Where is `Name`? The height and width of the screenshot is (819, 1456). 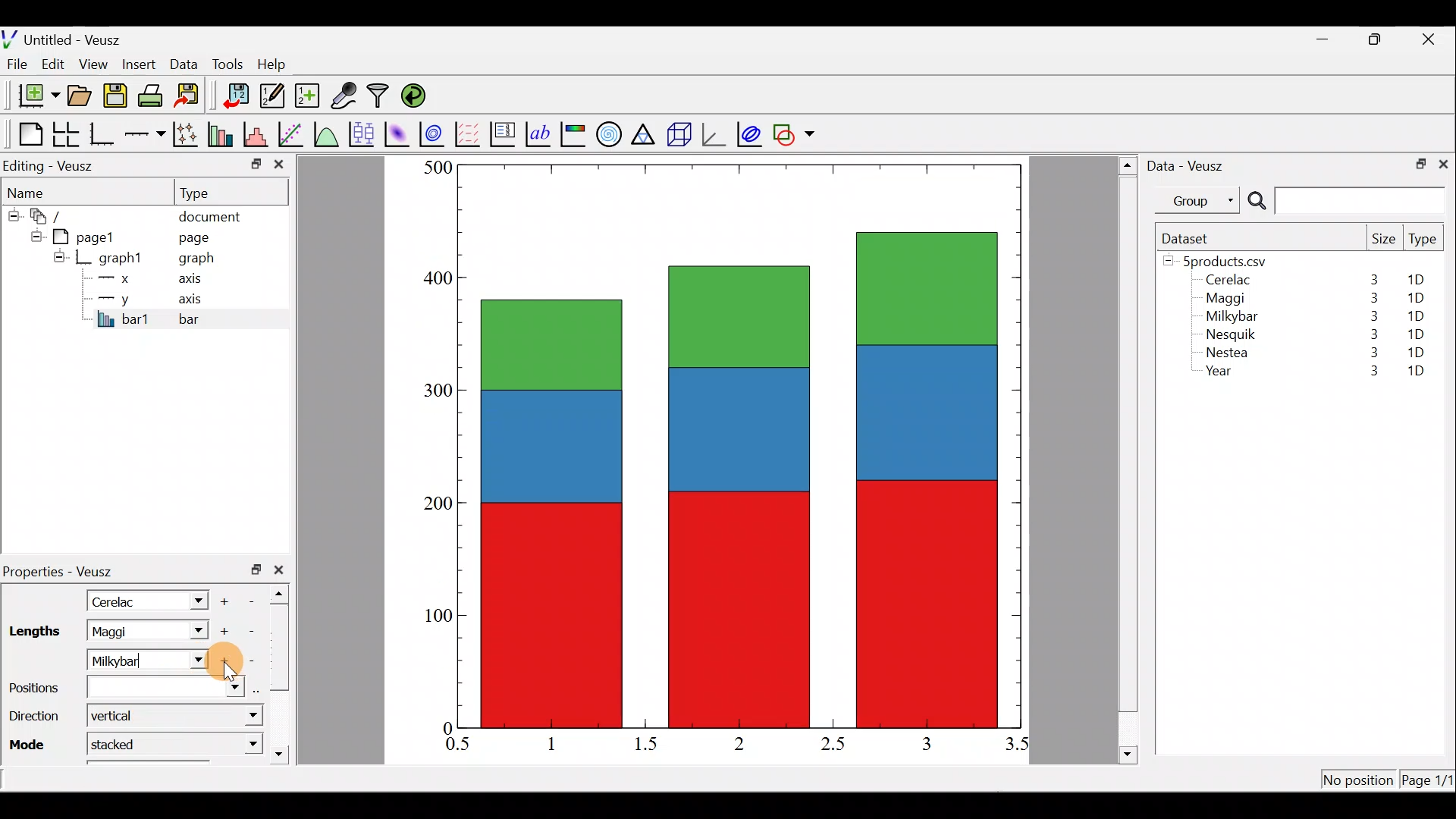 Name is located at coordinates (35, 190).